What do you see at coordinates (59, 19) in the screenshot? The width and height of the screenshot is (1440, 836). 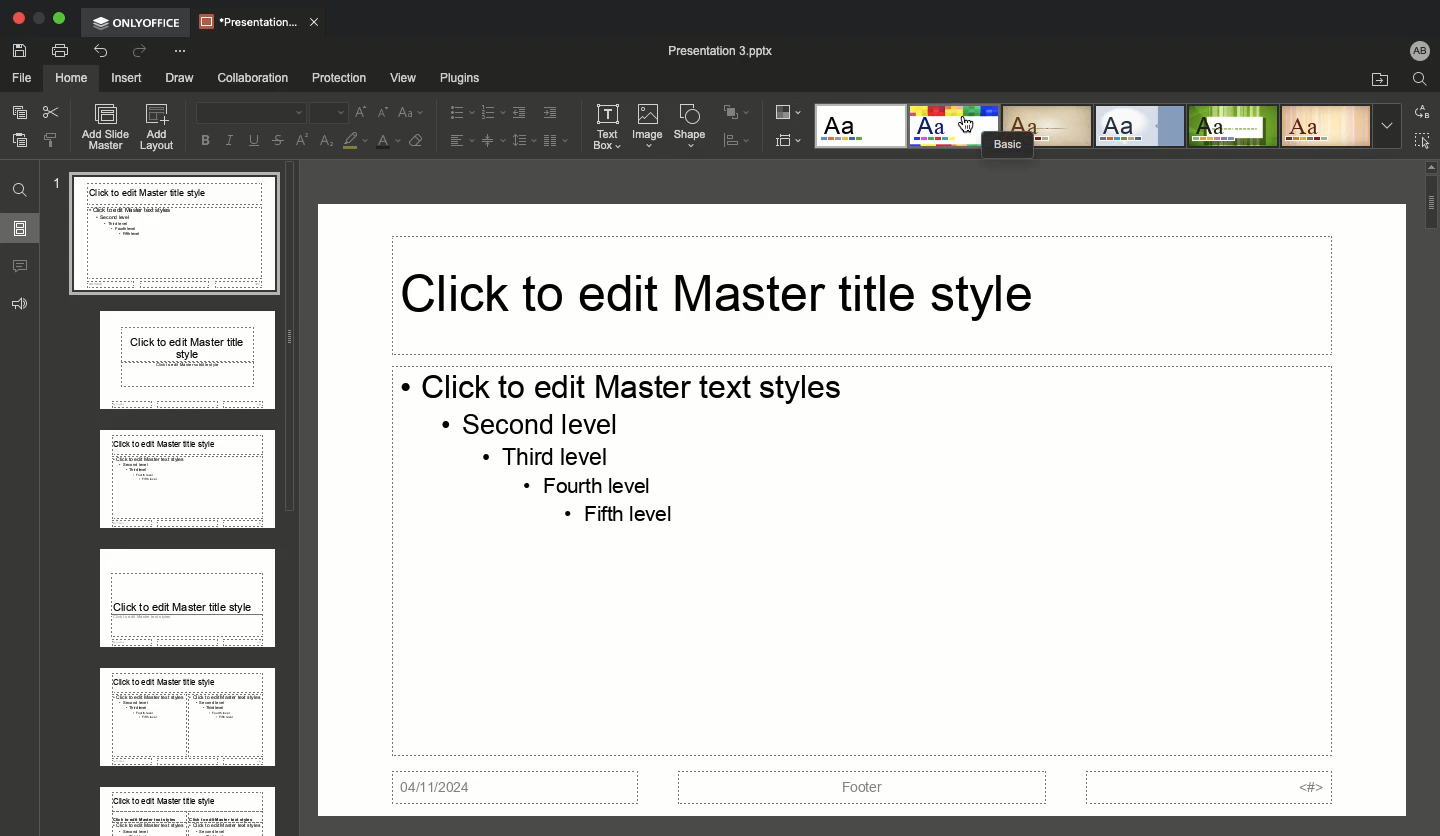 I see `Expand` at bounding box center [59, 19].